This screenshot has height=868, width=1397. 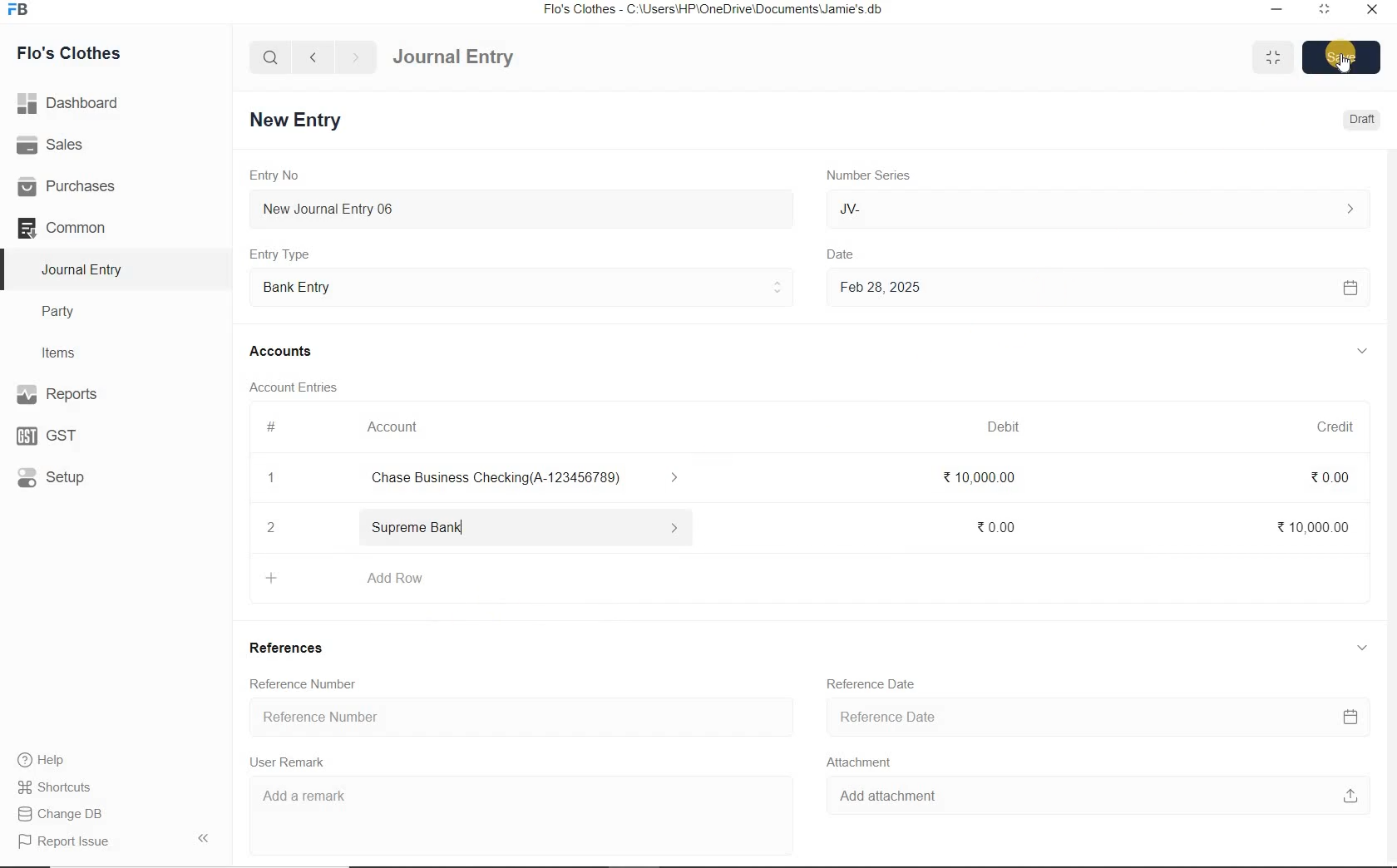 I want to click on References, so click(x=292, y=648).